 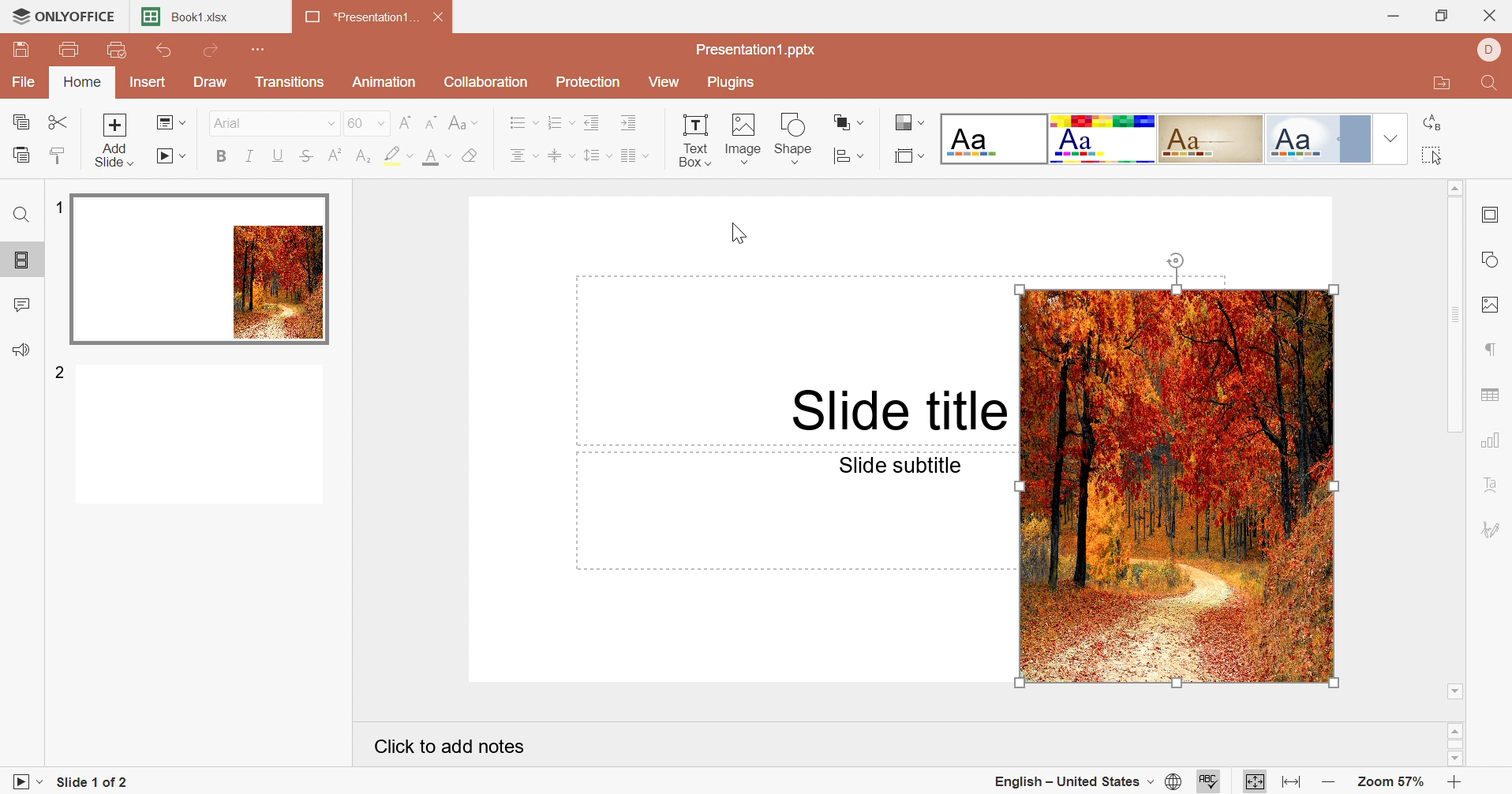 What do you see at coordinates (59, 207) in the screenshot?
I see `1` at bounding box center [59, 207].